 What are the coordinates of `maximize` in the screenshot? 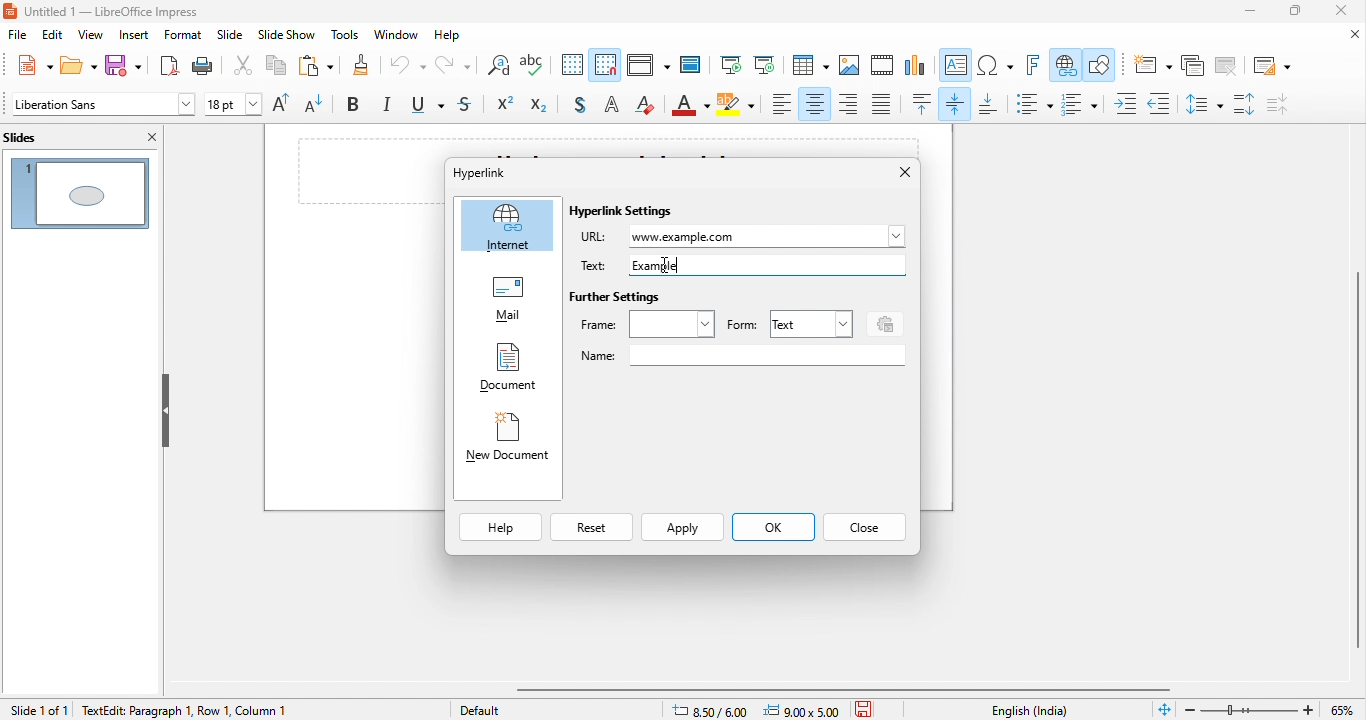 It's located at (1293, 13).